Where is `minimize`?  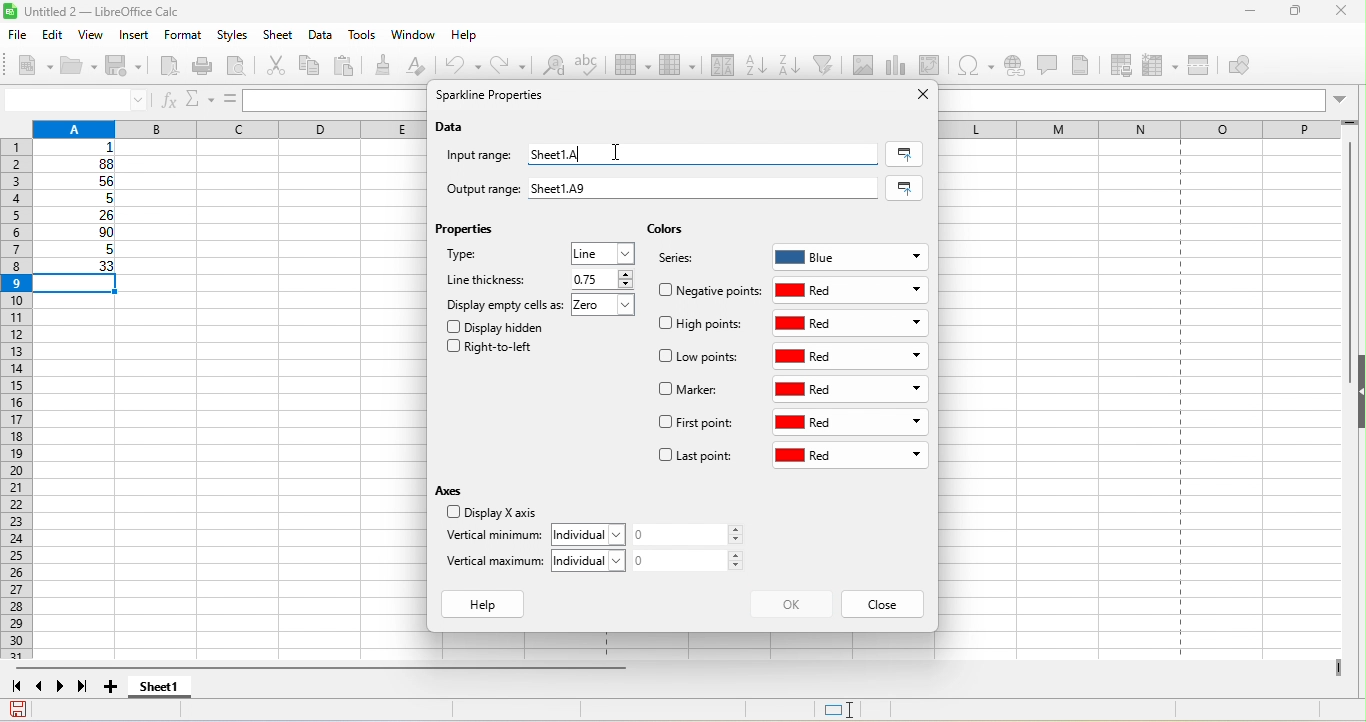 minimize is located at coordinates (1240, 14).